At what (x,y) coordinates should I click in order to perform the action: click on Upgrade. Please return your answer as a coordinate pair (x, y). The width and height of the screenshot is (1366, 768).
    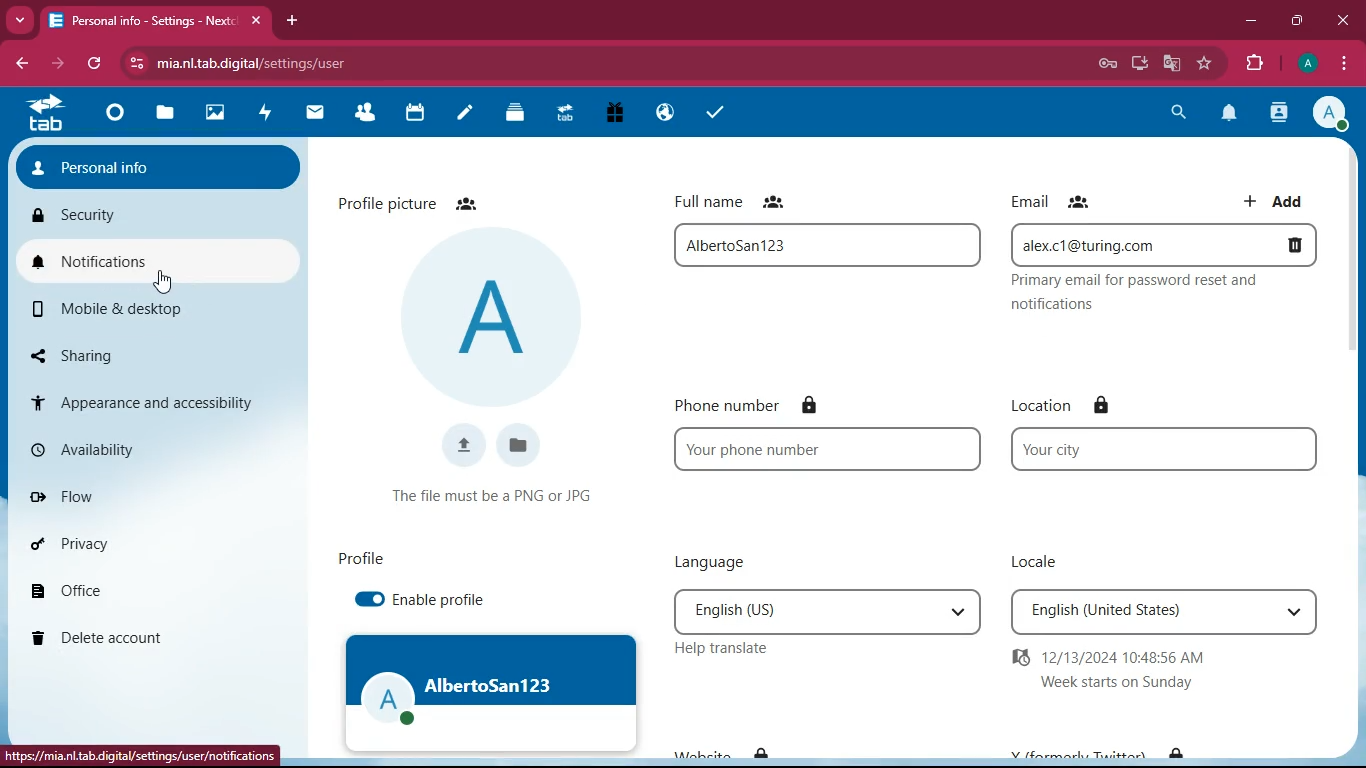
    Looking at the image, I should click on (566, 115).